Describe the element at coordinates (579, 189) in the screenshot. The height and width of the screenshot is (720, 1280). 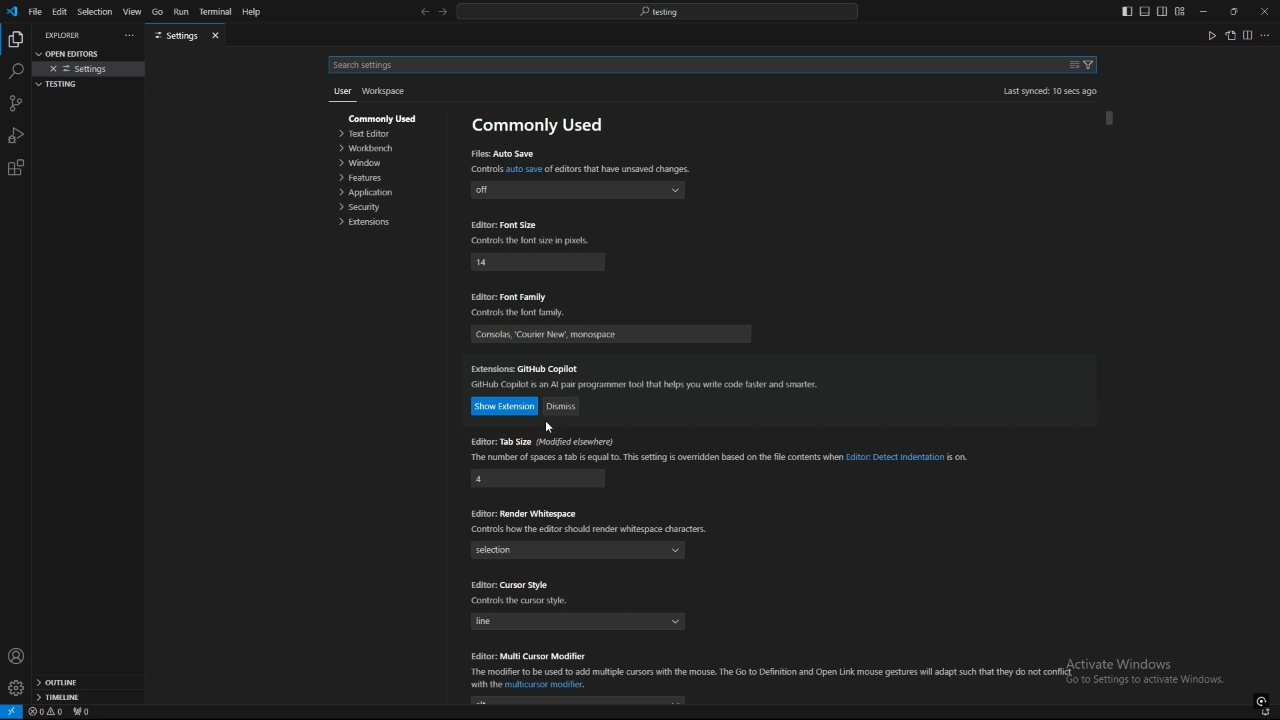
I see `off` at that location.